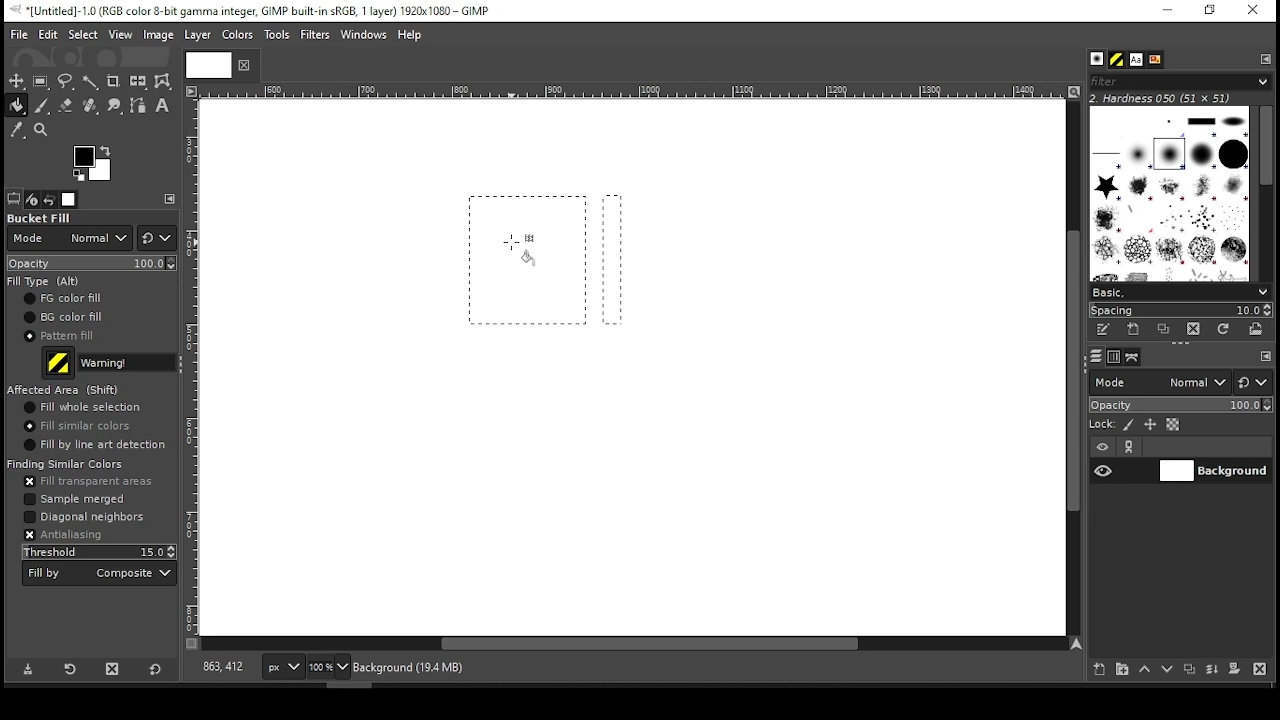 The image size is (1280, 720). Describe the element at coordinates (1121, 669) in the screenshot. I see `new layer group  ` at that location.